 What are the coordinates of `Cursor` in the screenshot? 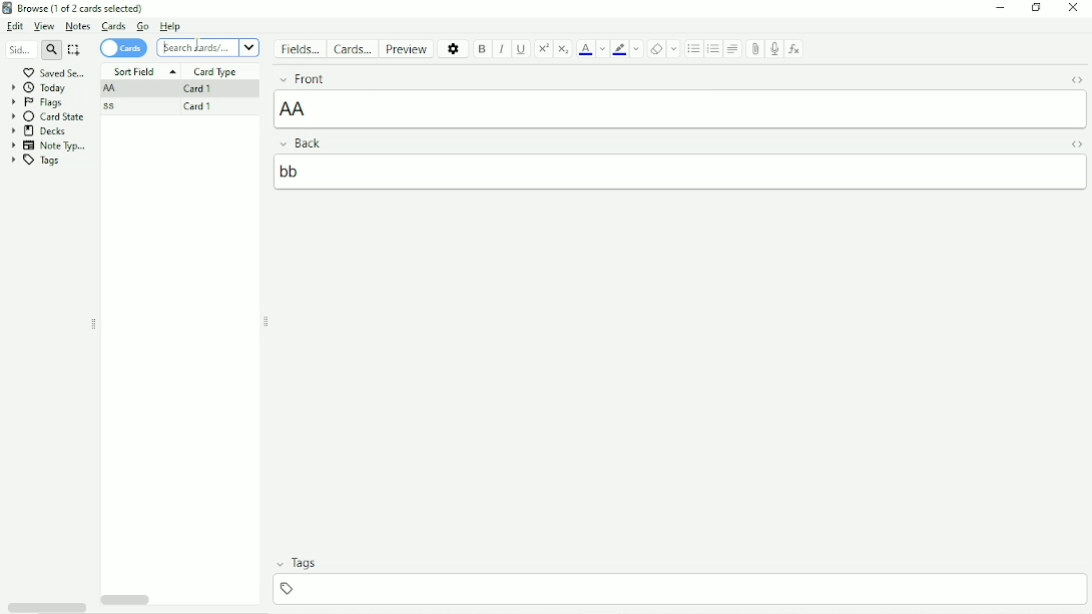 It's located at (163, 49).